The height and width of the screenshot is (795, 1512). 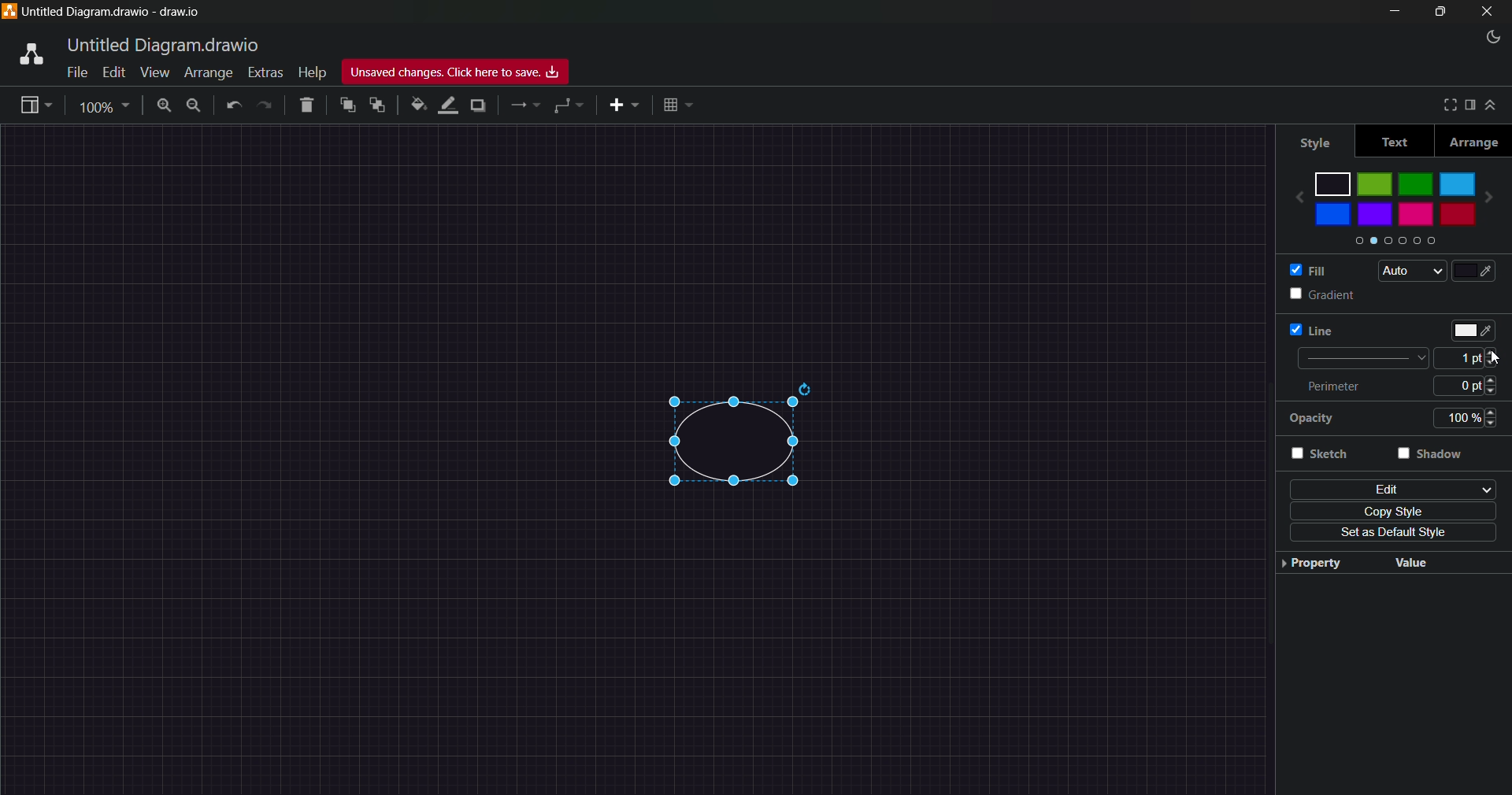 I want to click on table, so click(x=675, y=105).